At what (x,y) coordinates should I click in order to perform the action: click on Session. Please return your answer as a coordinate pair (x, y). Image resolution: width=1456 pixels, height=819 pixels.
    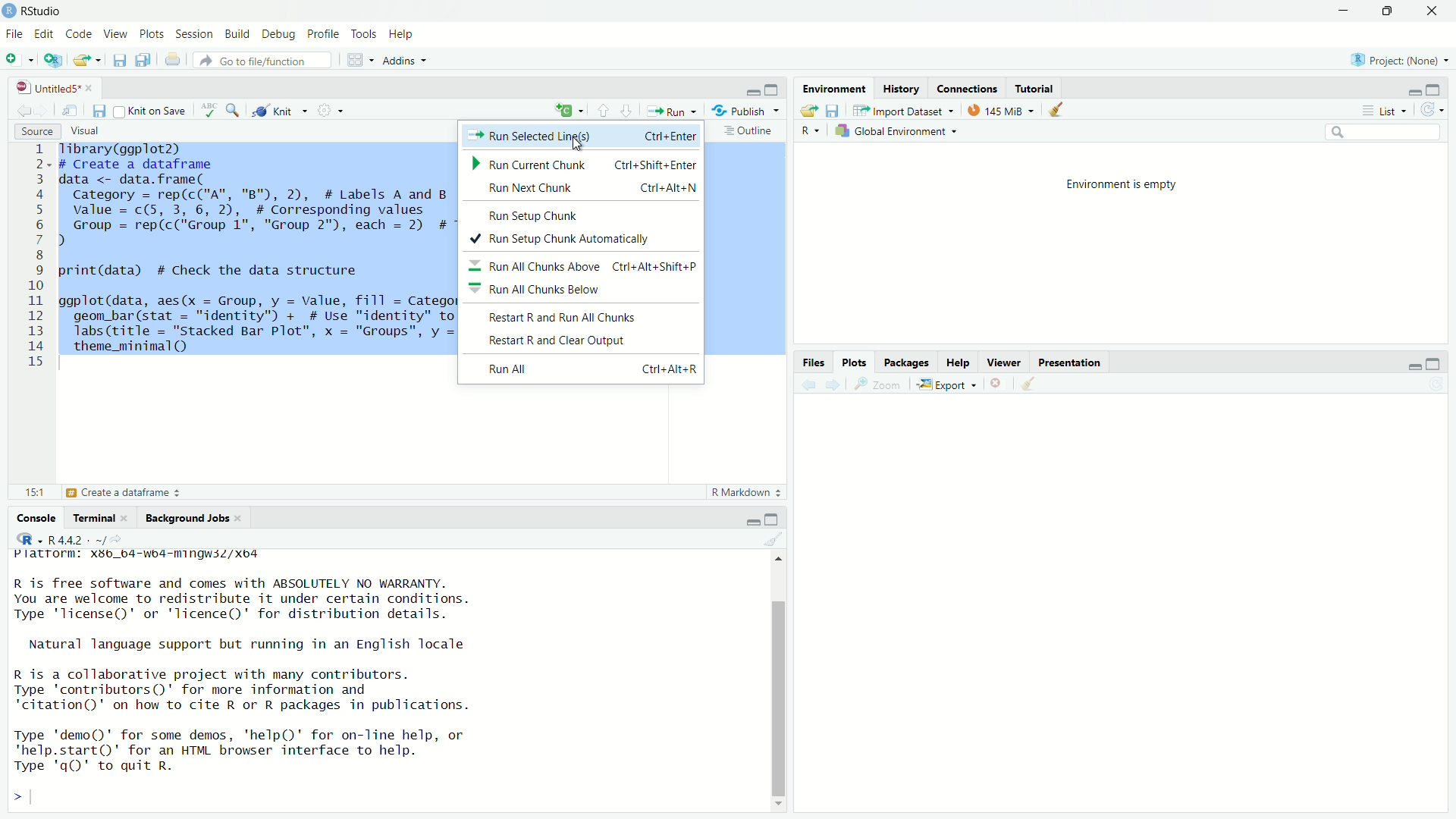
    Looking at the image, I should click on (196, 34).